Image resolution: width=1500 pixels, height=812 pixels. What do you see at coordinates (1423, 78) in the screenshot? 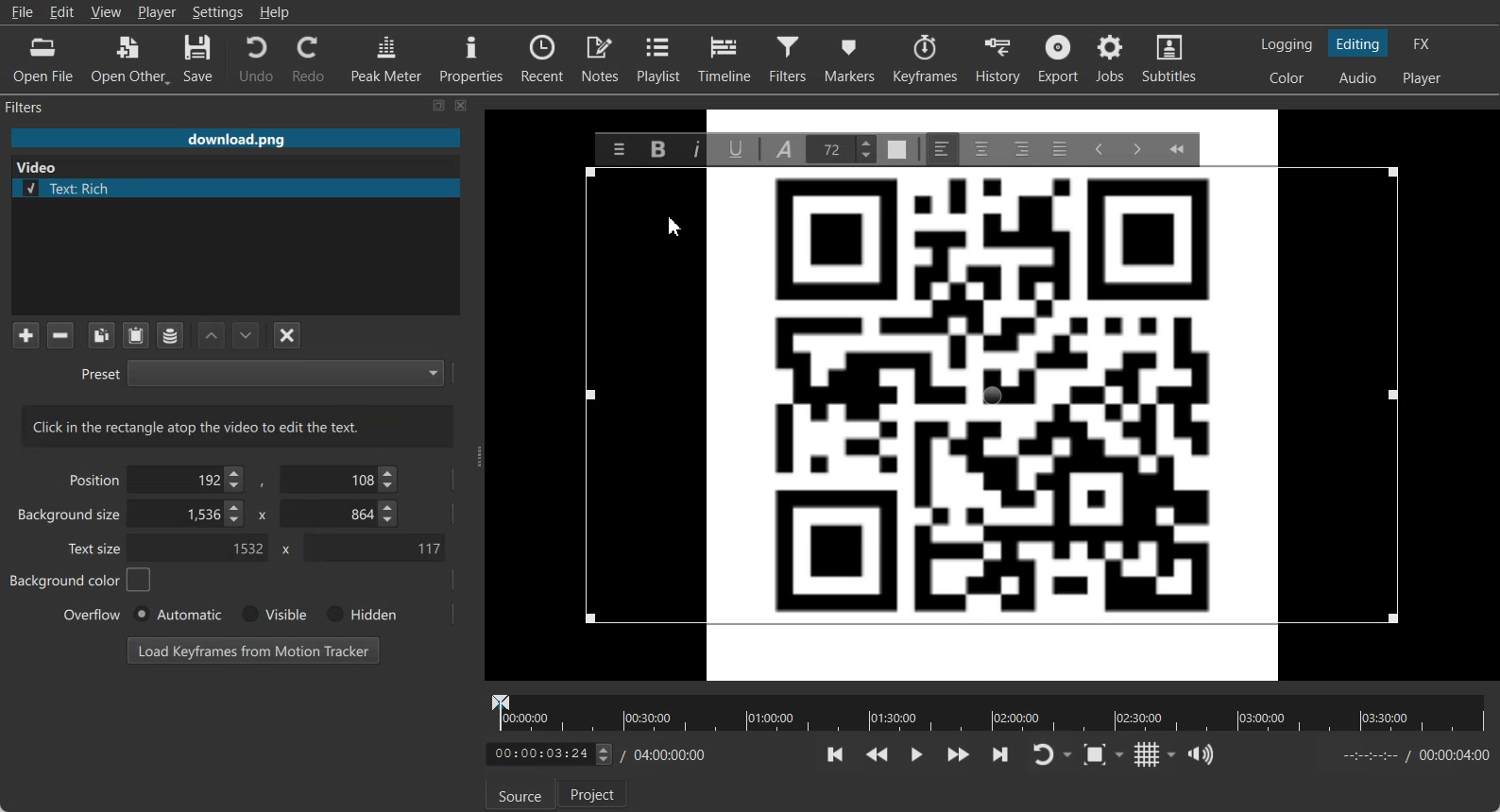
I see `Switching to the Player only layout` at bounding box center [1423, 78].